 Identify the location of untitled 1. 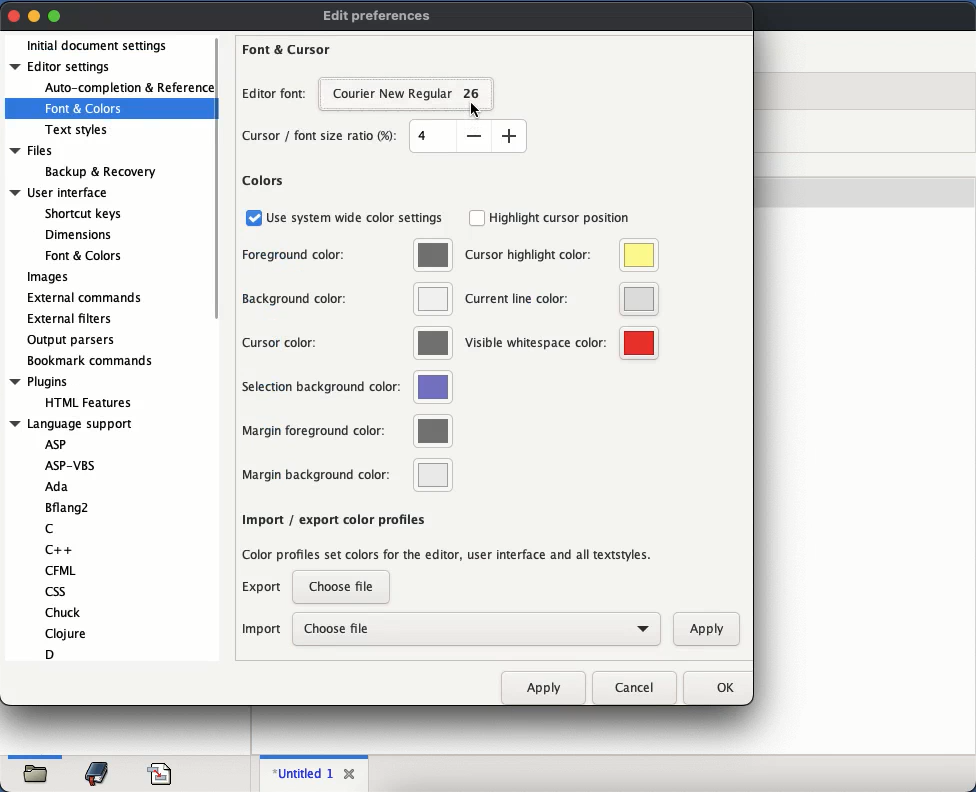
(305, 773).